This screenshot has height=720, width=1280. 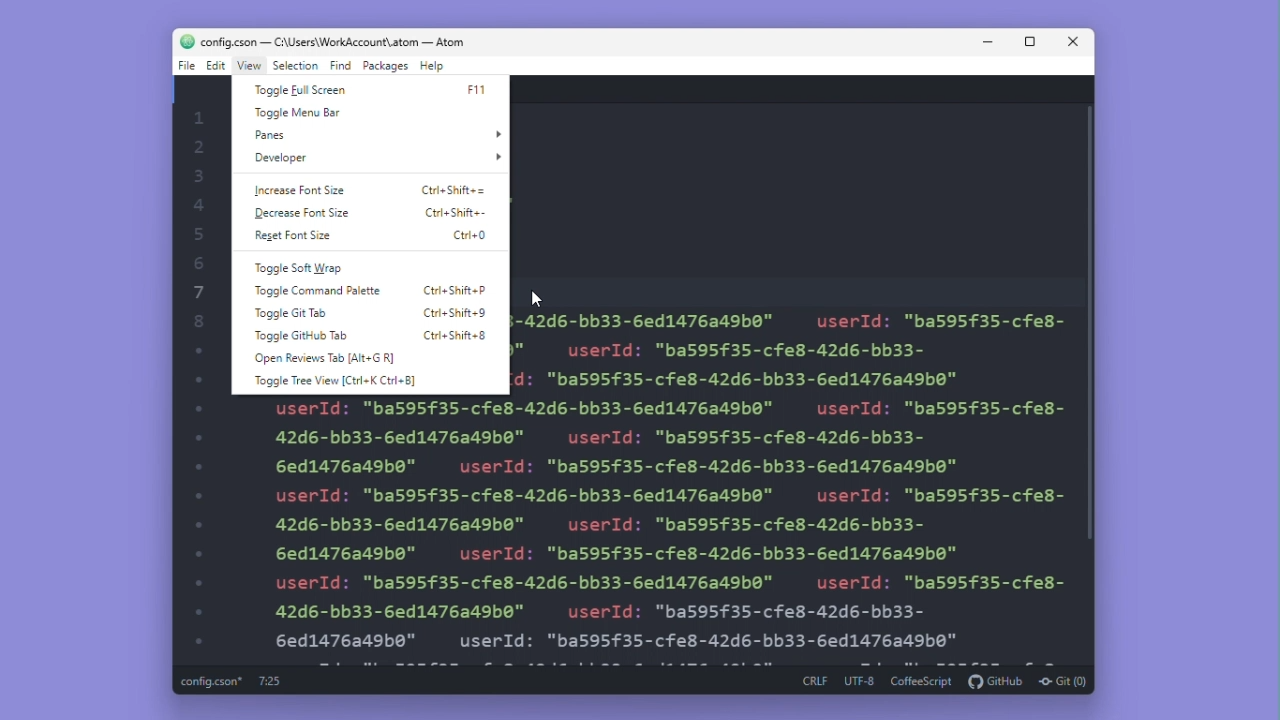 What do you see at coordinates (289, 313) in the screenshot?
I see `toggle git lab` at bounding box center [289, 313].